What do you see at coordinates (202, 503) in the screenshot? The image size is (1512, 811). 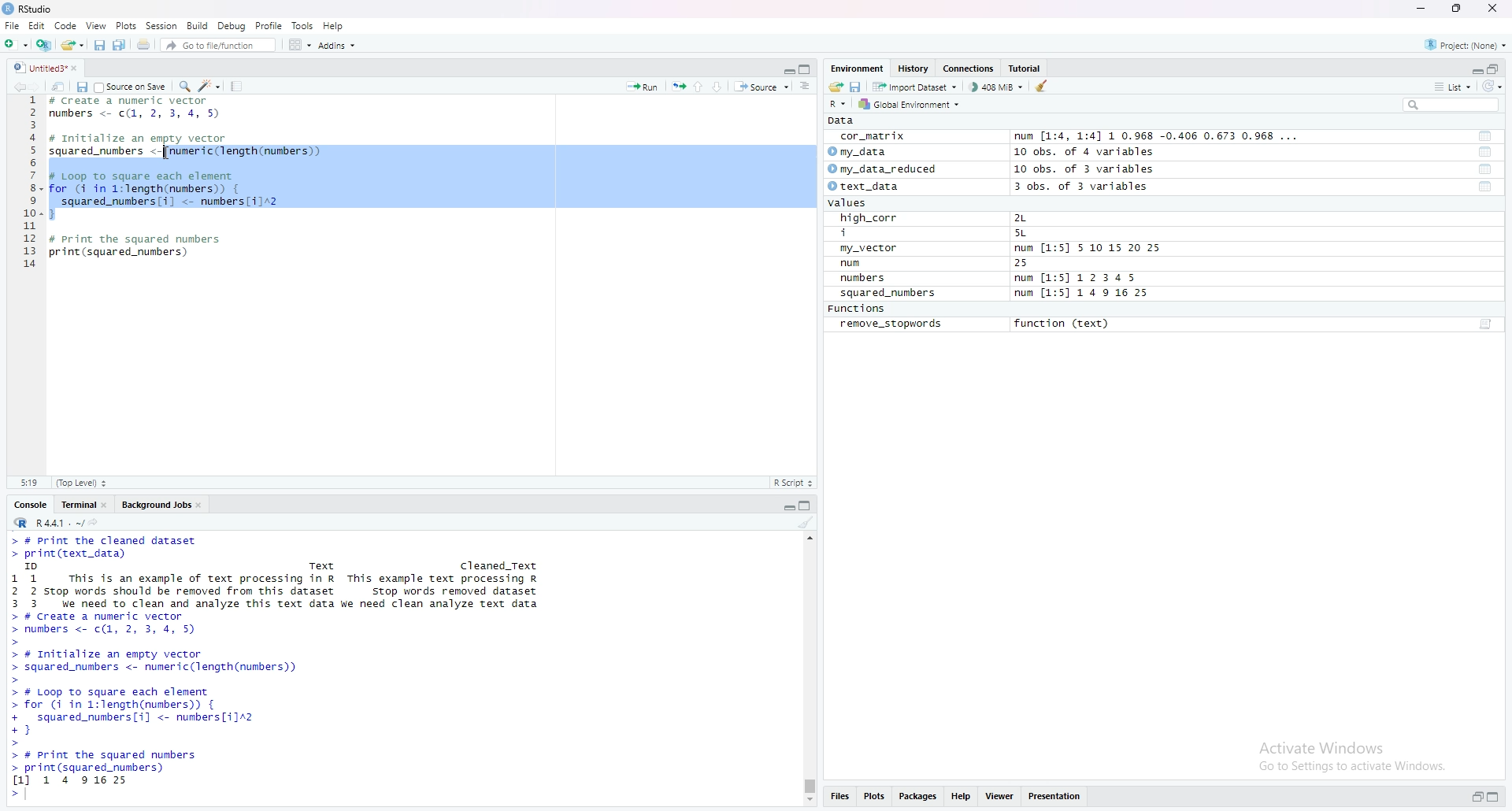 I see `close` at bounding box center [202, 503].